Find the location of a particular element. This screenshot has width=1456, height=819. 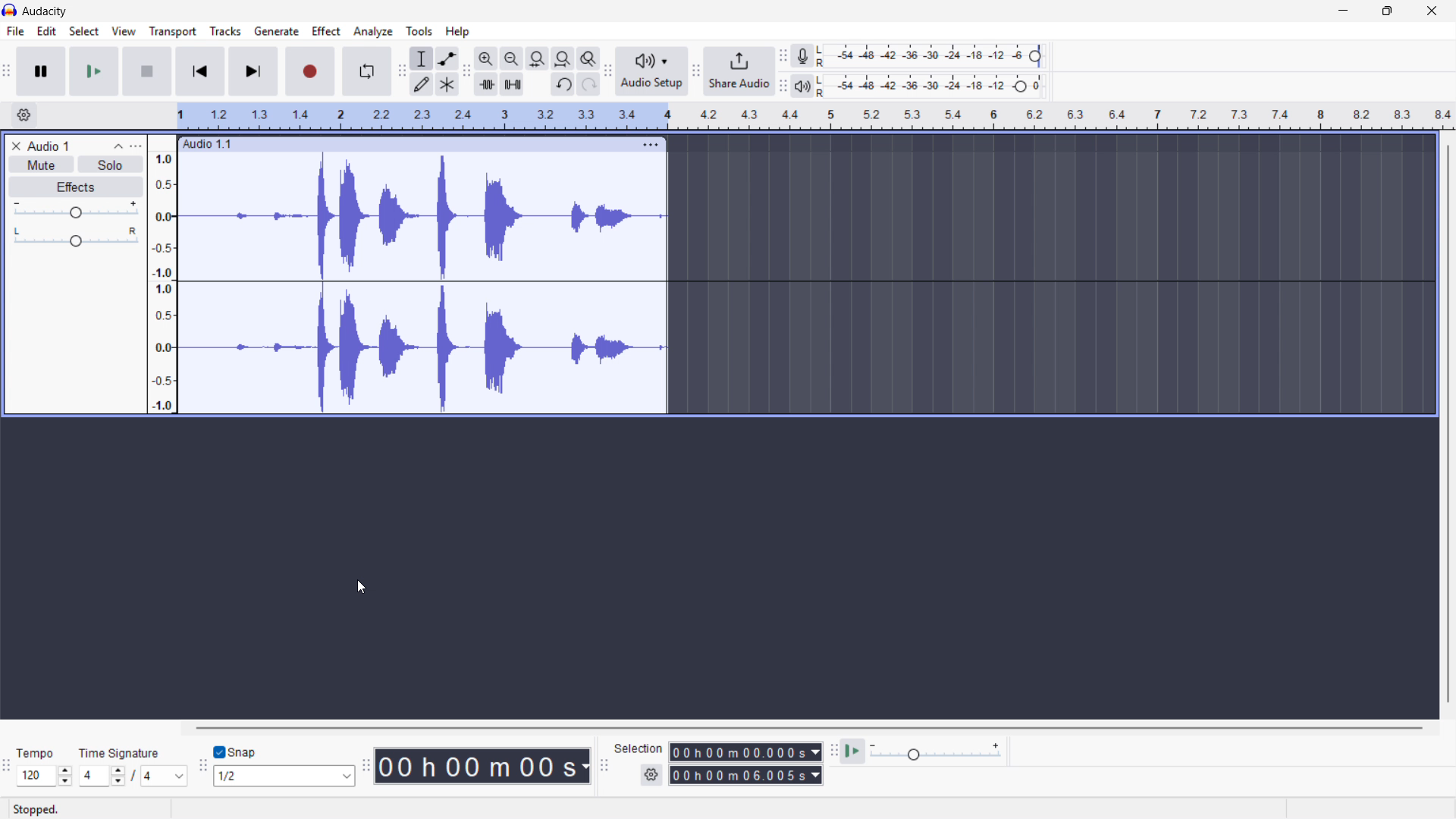

Edit toolbar is located at coordinates (466, 71).